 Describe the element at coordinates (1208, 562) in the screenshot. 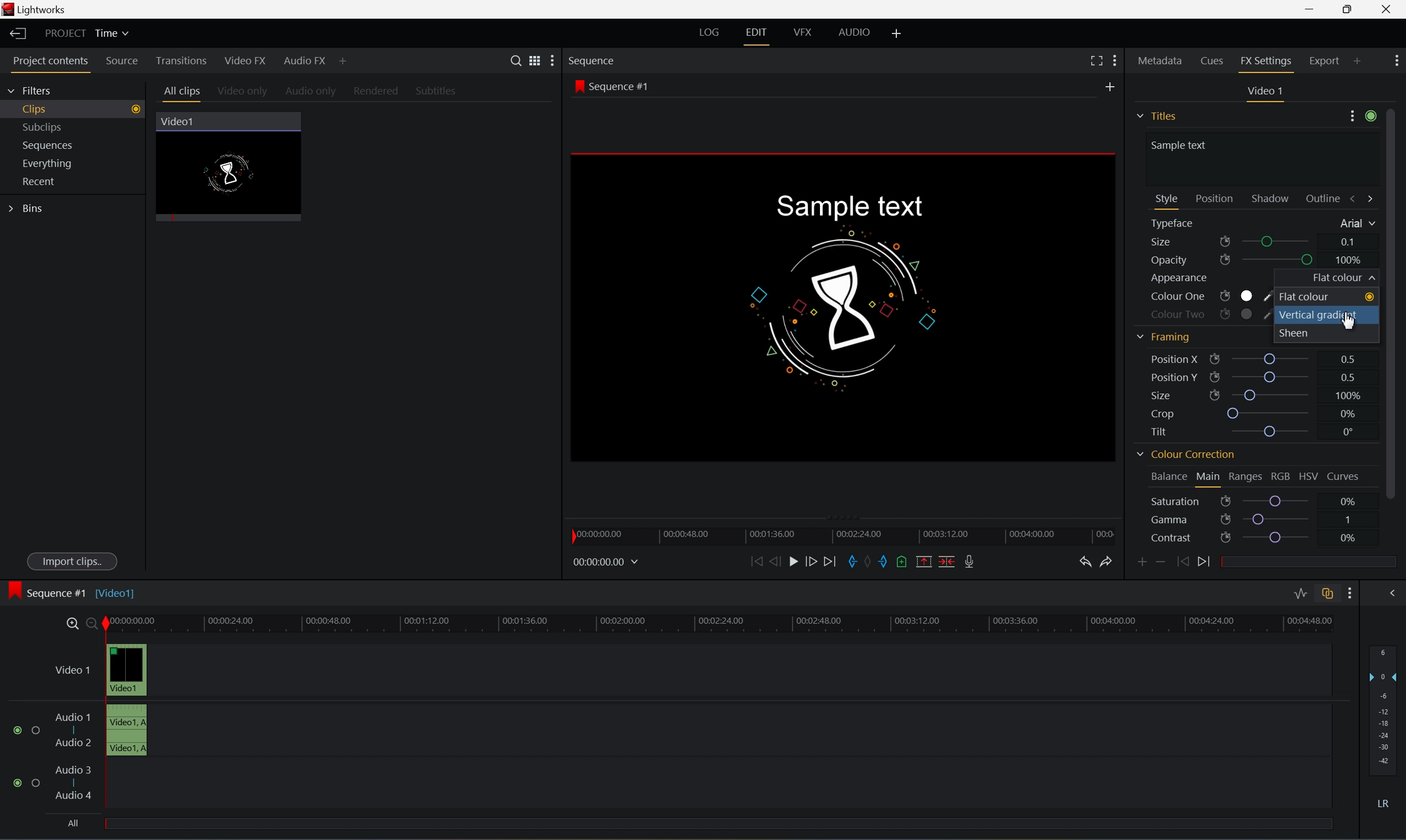

I see `next` at that location.